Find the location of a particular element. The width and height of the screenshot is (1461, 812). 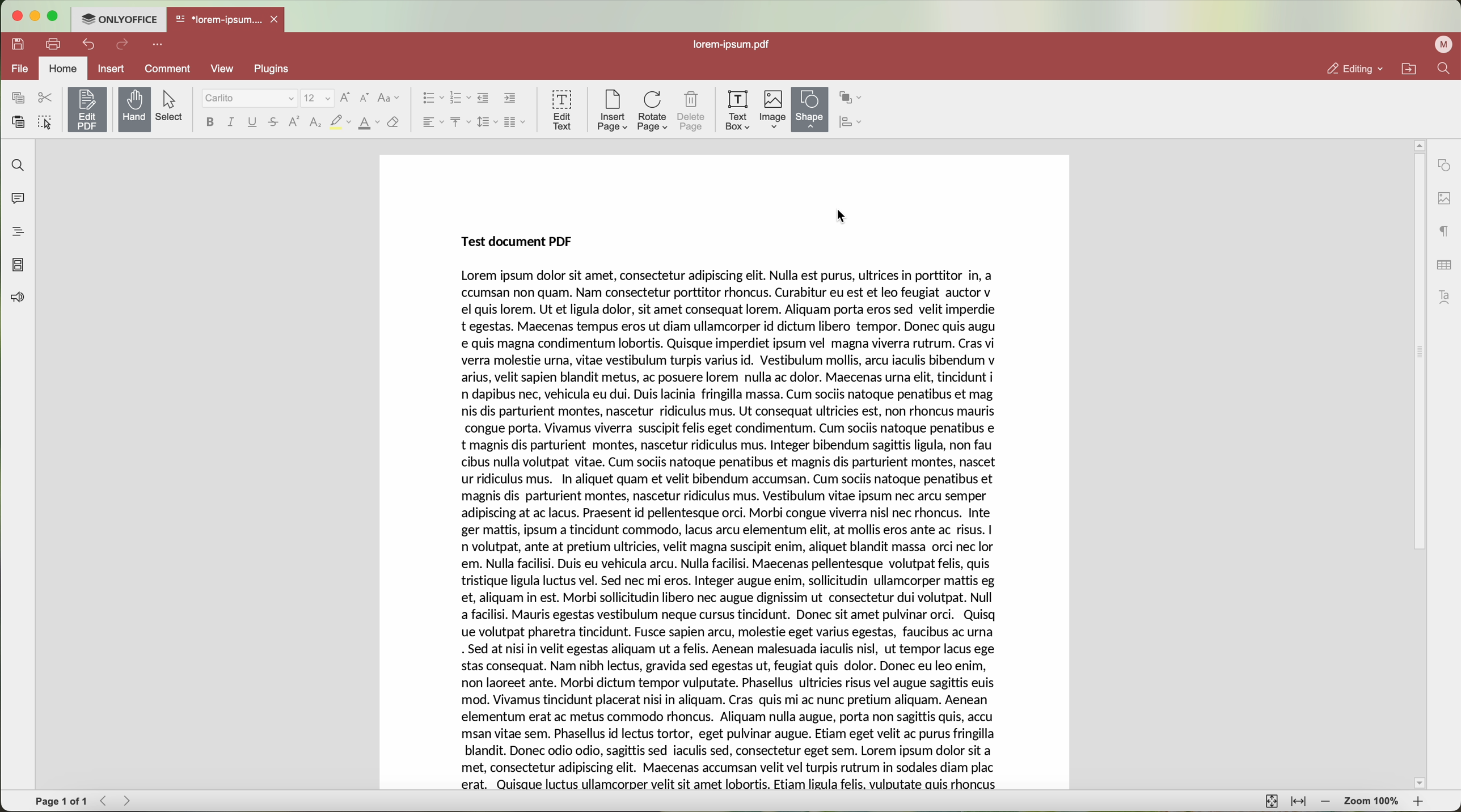

delete page is located at coordinates (693, 111).